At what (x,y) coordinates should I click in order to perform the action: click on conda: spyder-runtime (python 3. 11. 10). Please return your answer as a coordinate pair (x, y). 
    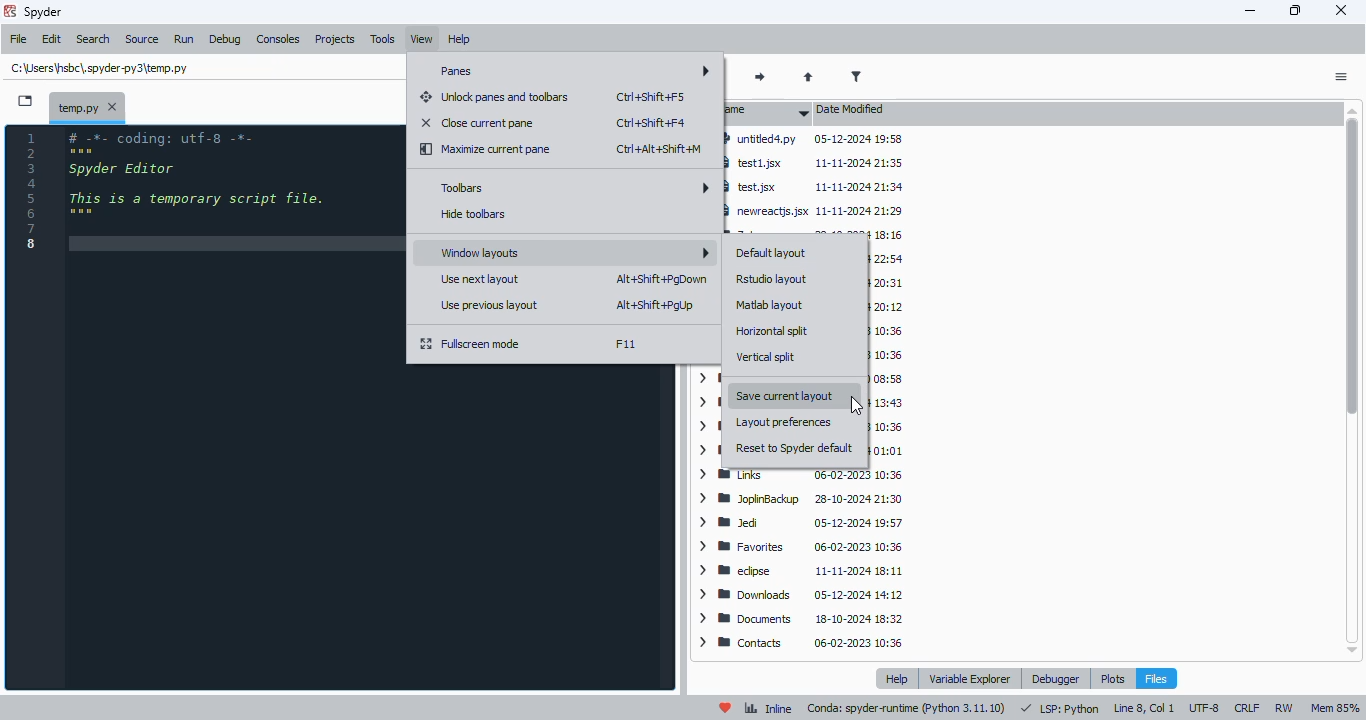
    Looking at the image, I should click on (907, 709).